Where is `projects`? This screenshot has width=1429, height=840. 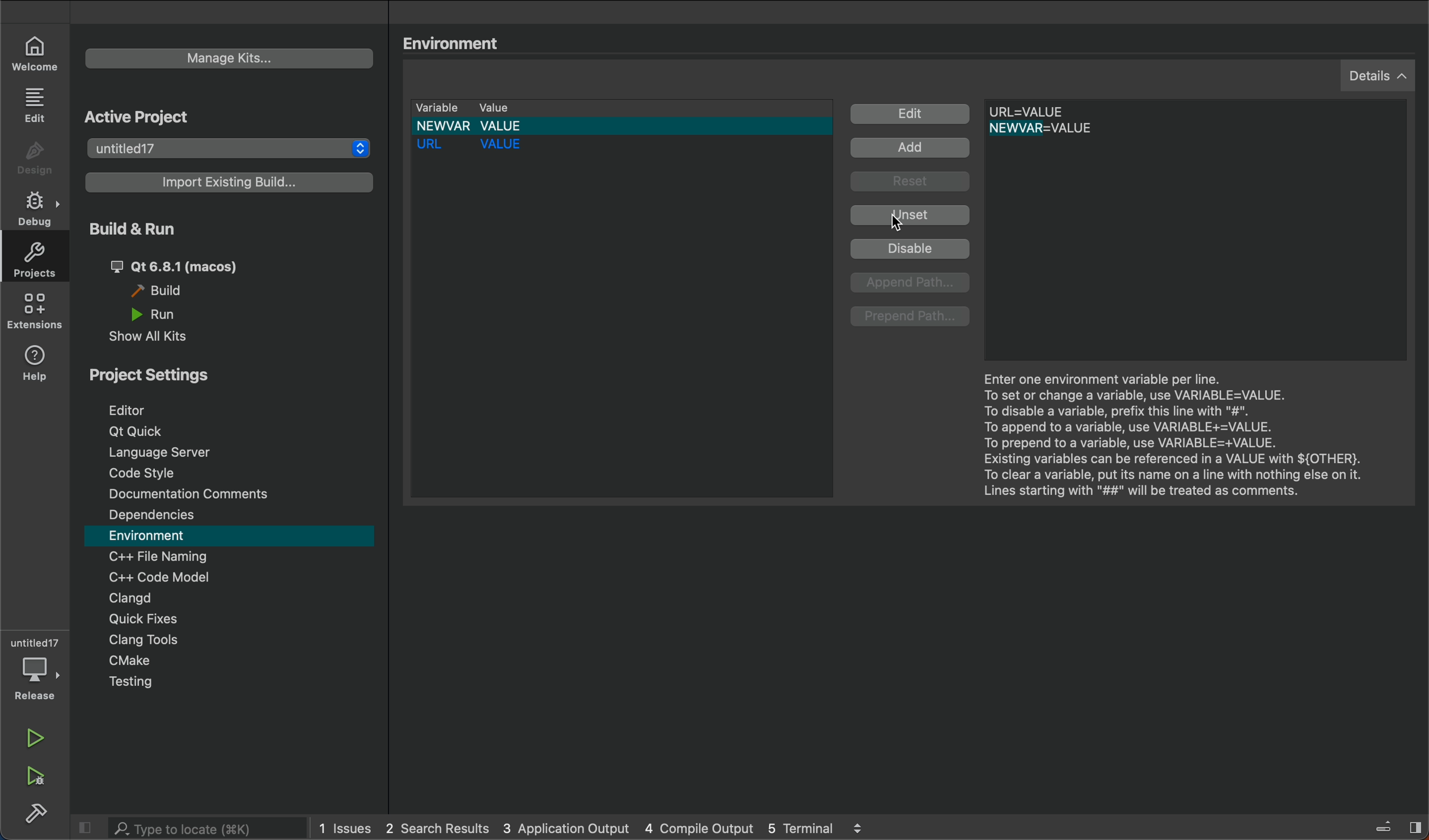 projects is located at coordinates (40, 260).